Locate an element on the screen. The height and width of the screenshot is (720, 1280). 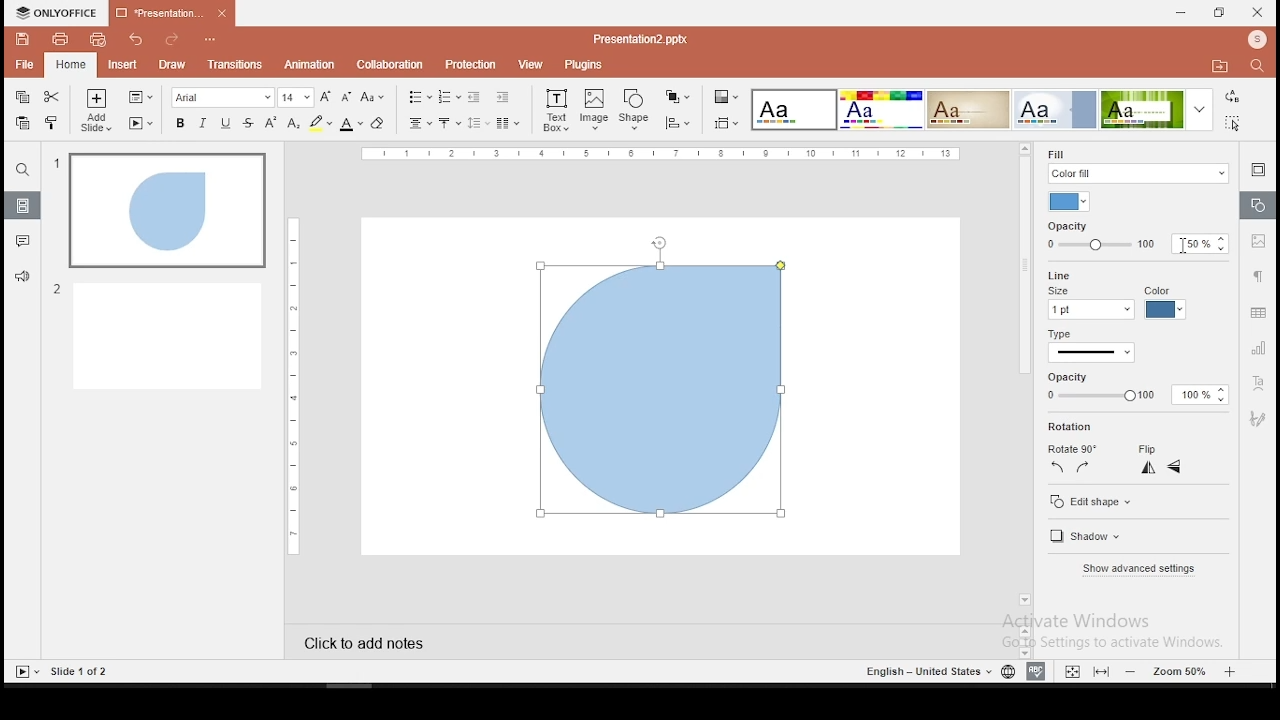
type is located at coordinates (1060, 336).